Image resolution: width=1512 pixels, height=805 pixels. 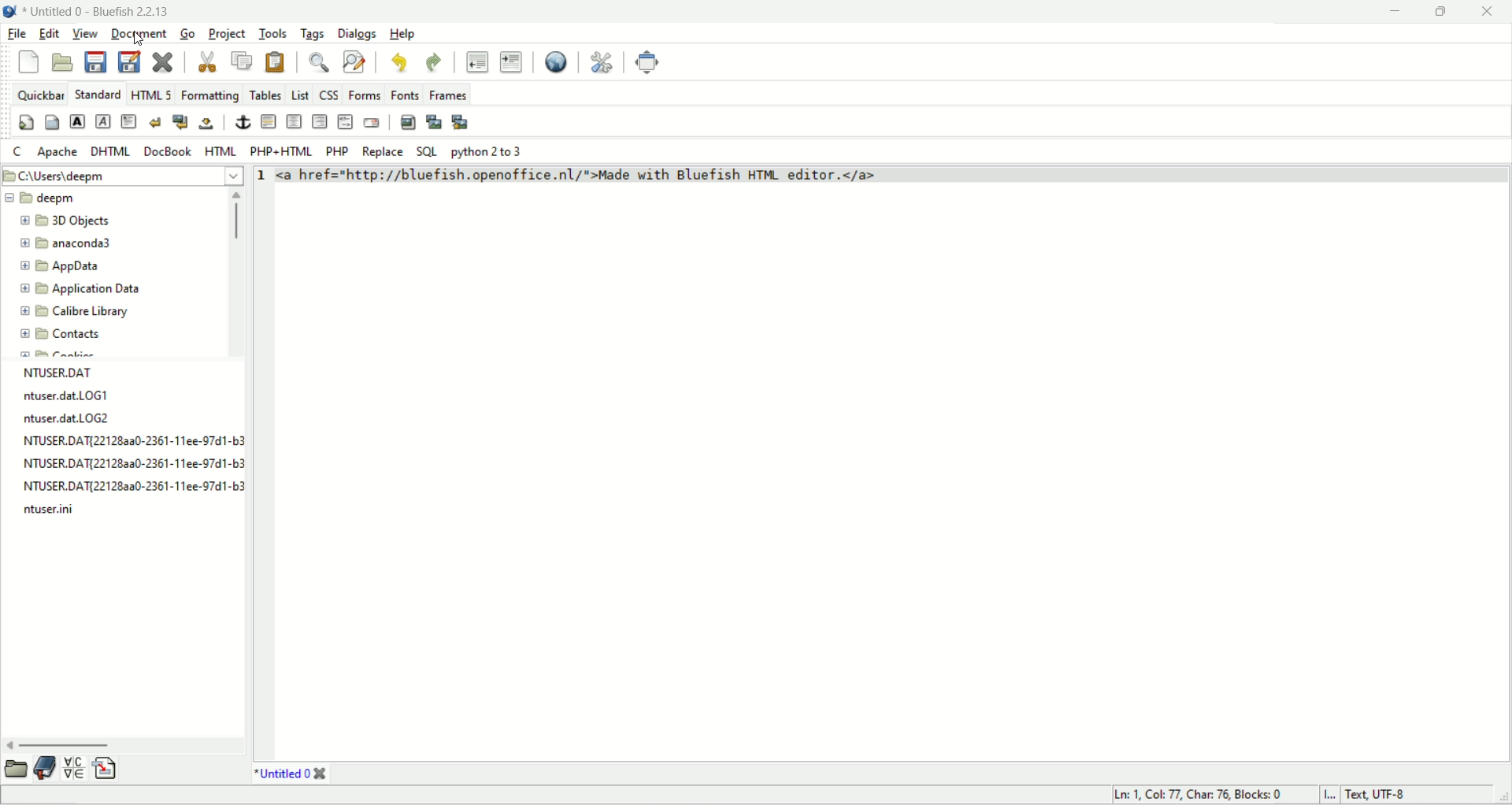 What do you see at coordinates (232, 274) in the screenshot?
I see `vertical scroll bar` at bounding box center [232, 274].